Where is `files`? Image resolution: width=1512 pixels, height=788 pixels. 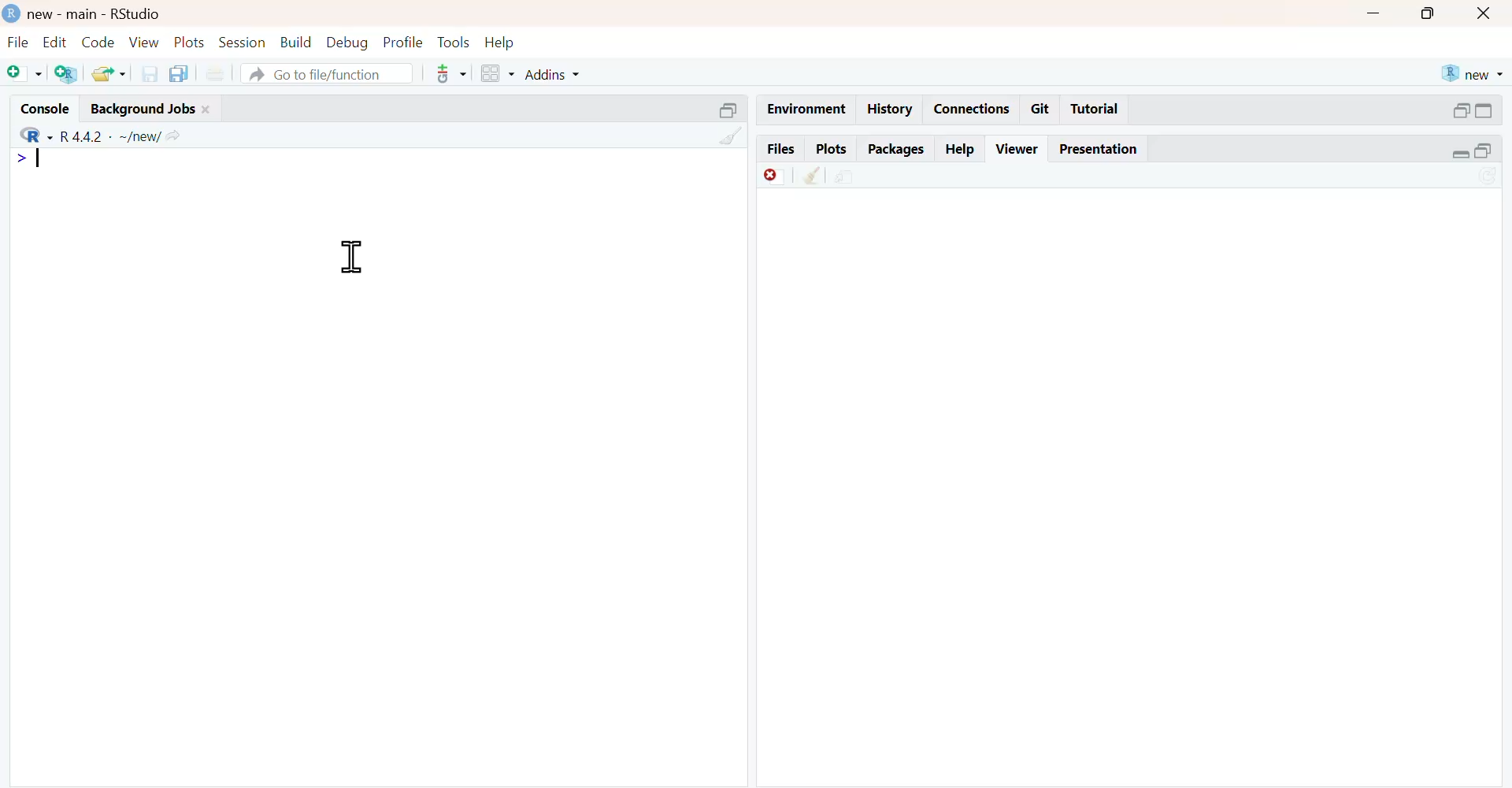
files is located at coordinates (781, 147).